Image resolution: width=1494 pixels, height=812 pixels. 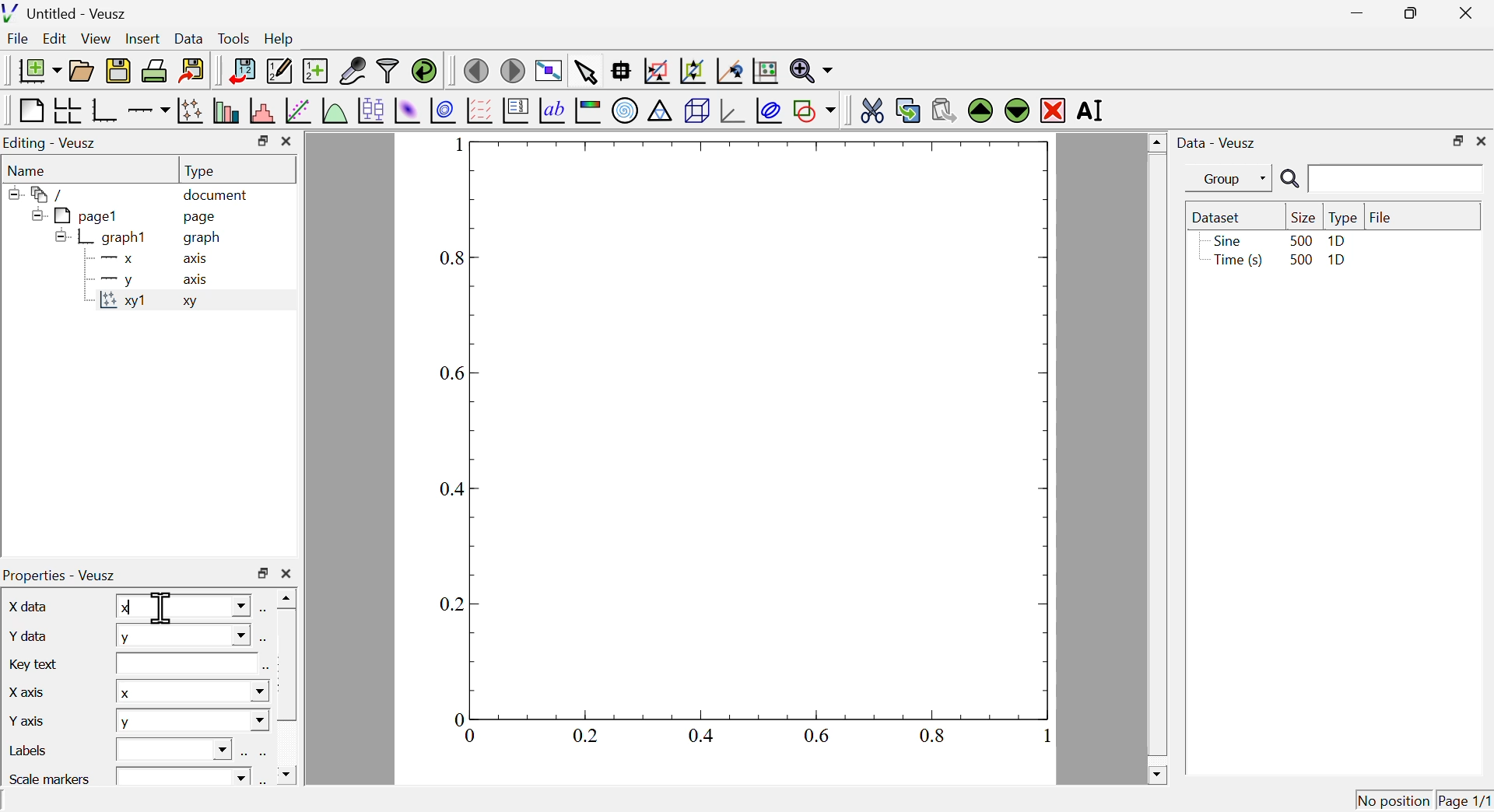 What do you see at coordinates (278, 71) in the screenshot?
I see `edit and enter new datasets` at bounding box center [278, 71].